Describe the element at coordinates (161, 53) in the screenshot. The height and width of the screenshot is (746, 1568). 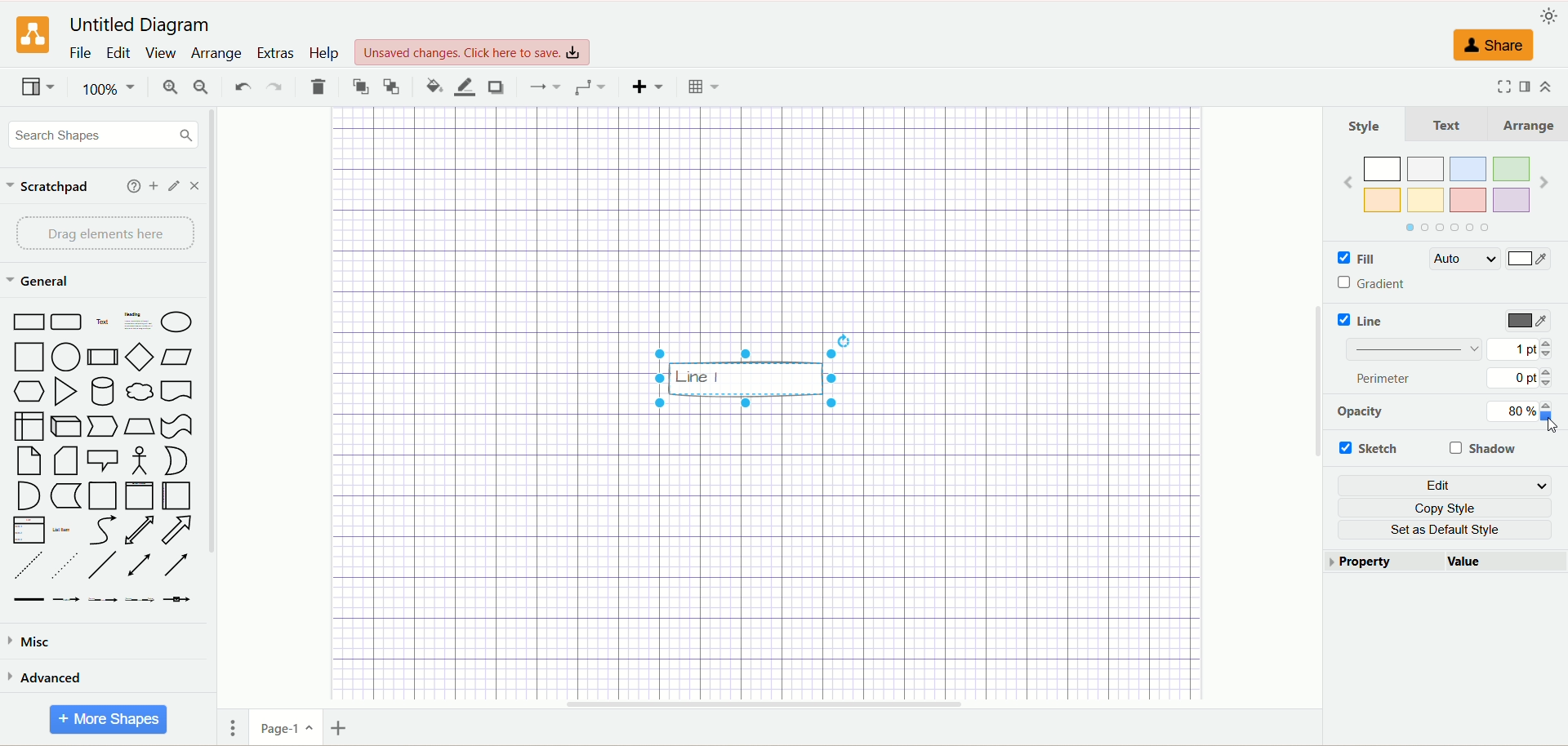
I see `view` at that location.